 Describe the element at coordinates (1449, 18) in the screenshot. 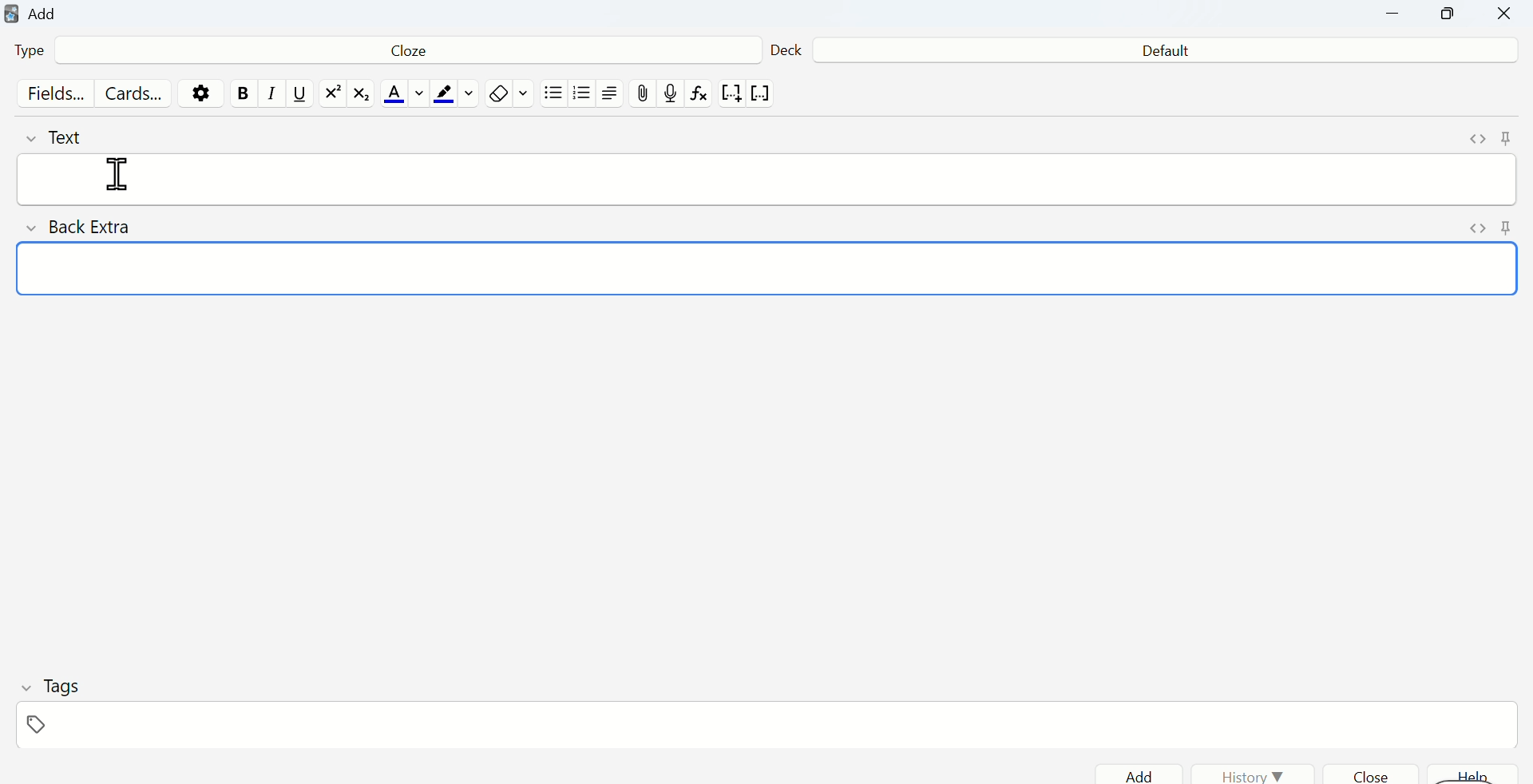

I see `Maximize` at that location.